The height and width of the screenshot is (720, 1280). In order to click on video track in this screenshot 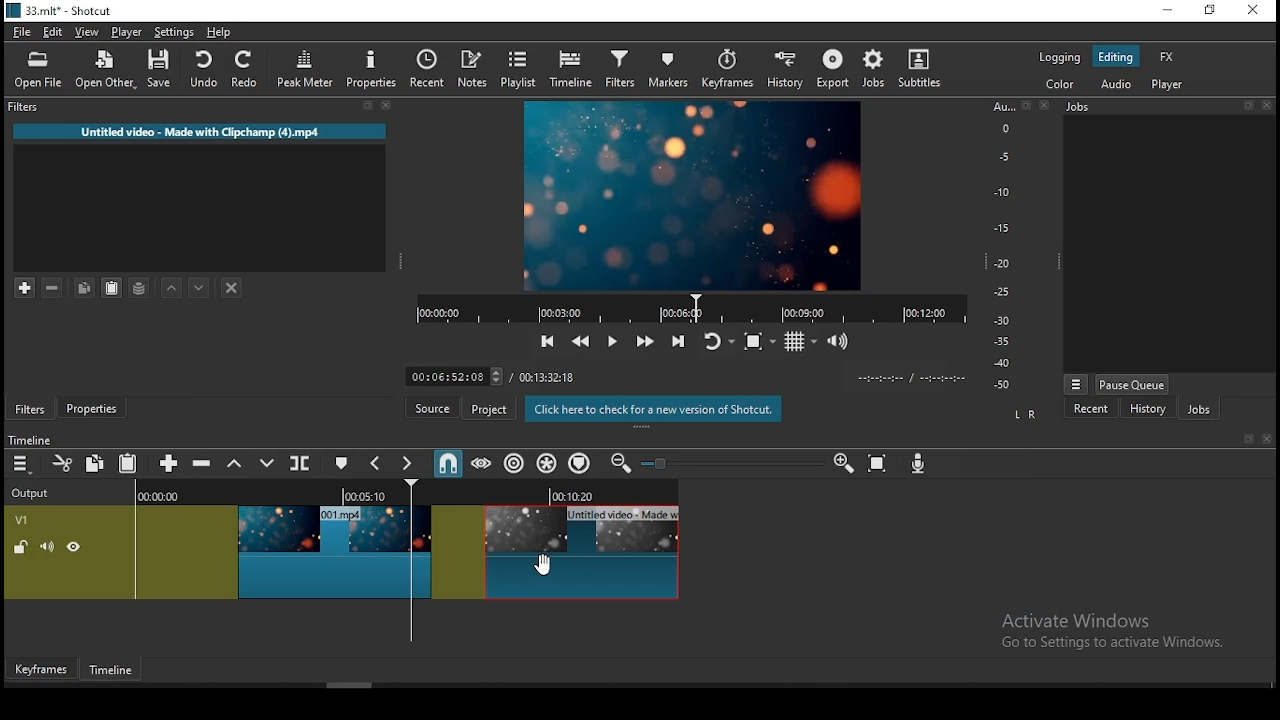, I will do `click(19, 518)`.